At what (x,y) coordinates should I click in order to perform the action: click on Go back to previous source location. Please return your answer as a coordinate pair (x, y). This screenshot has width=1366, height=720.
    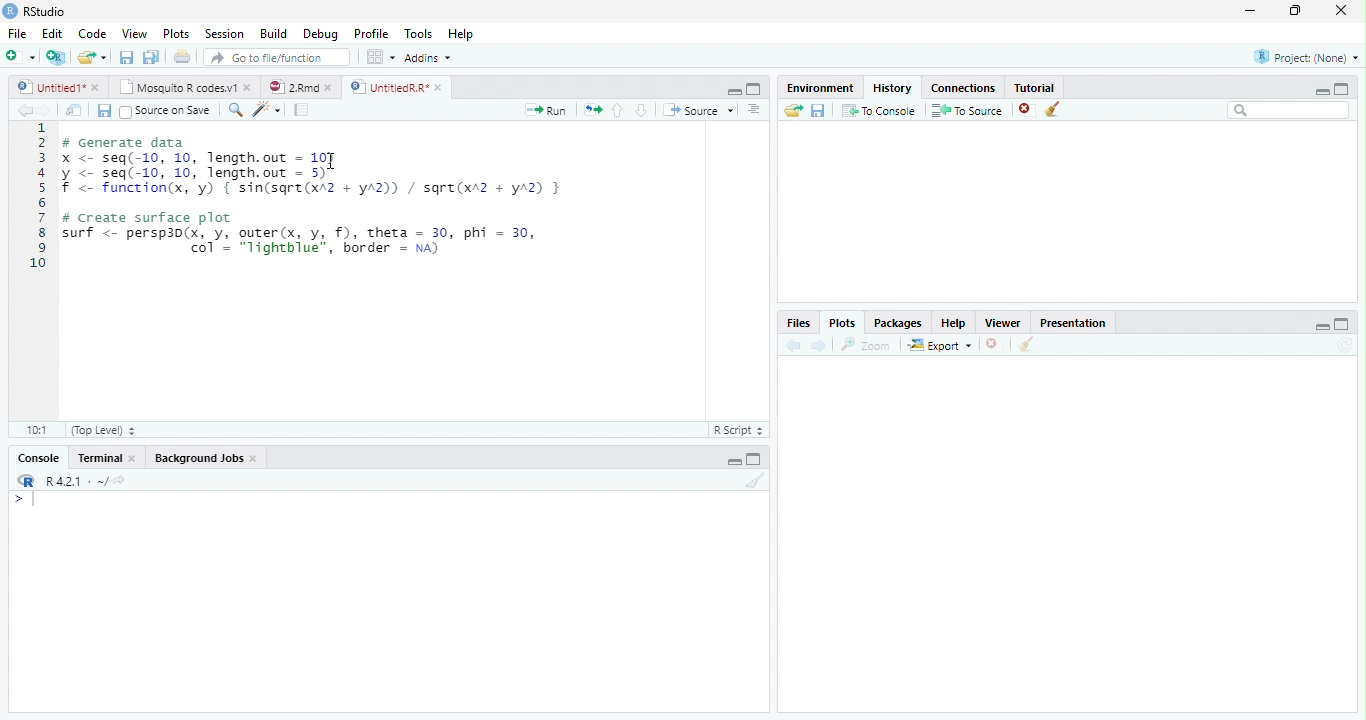
    Looking at the image, I should click on (24, 110).